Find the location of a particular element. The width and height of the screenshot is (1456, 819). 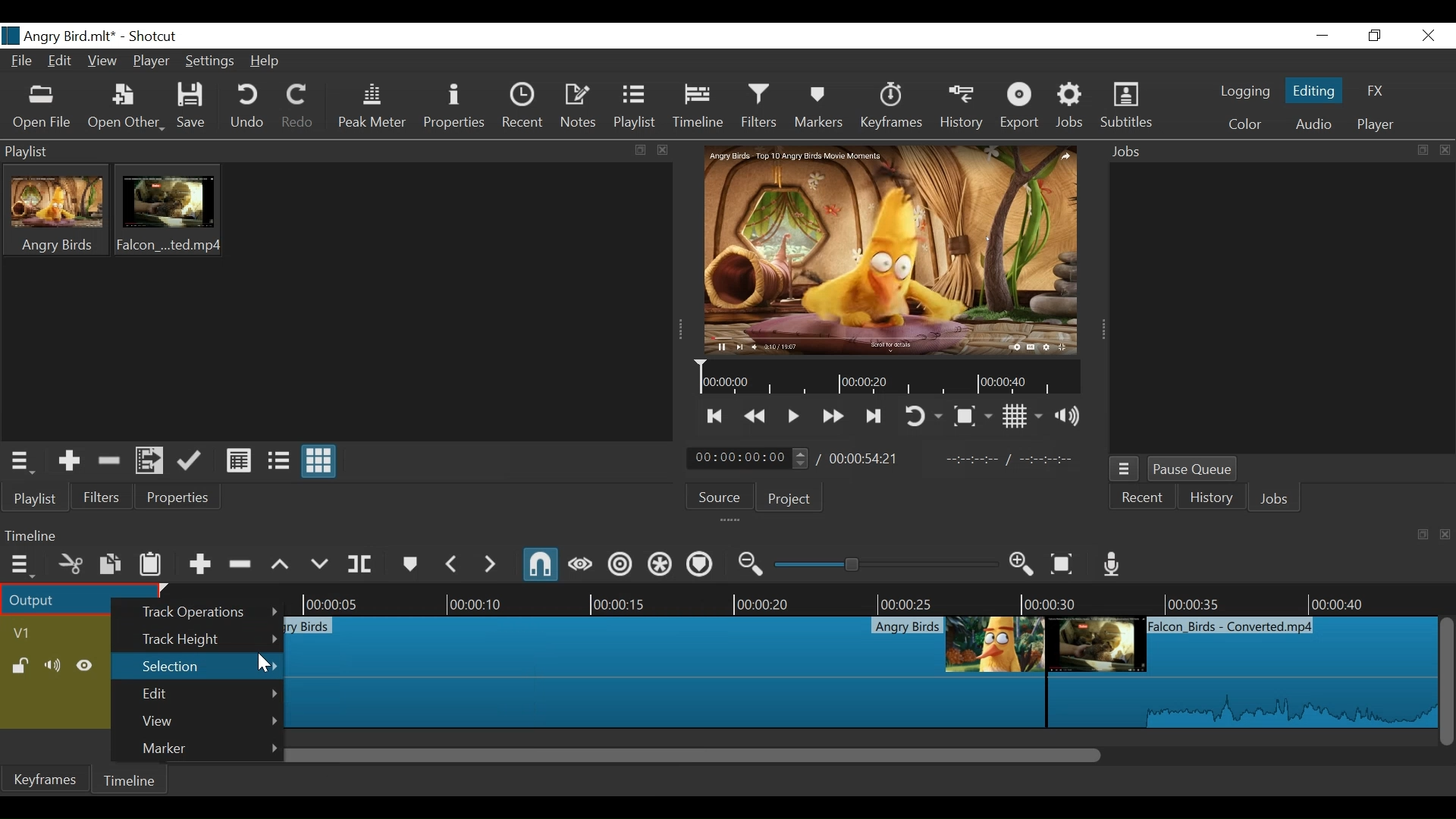

lift is located at coordinates (280, 564).